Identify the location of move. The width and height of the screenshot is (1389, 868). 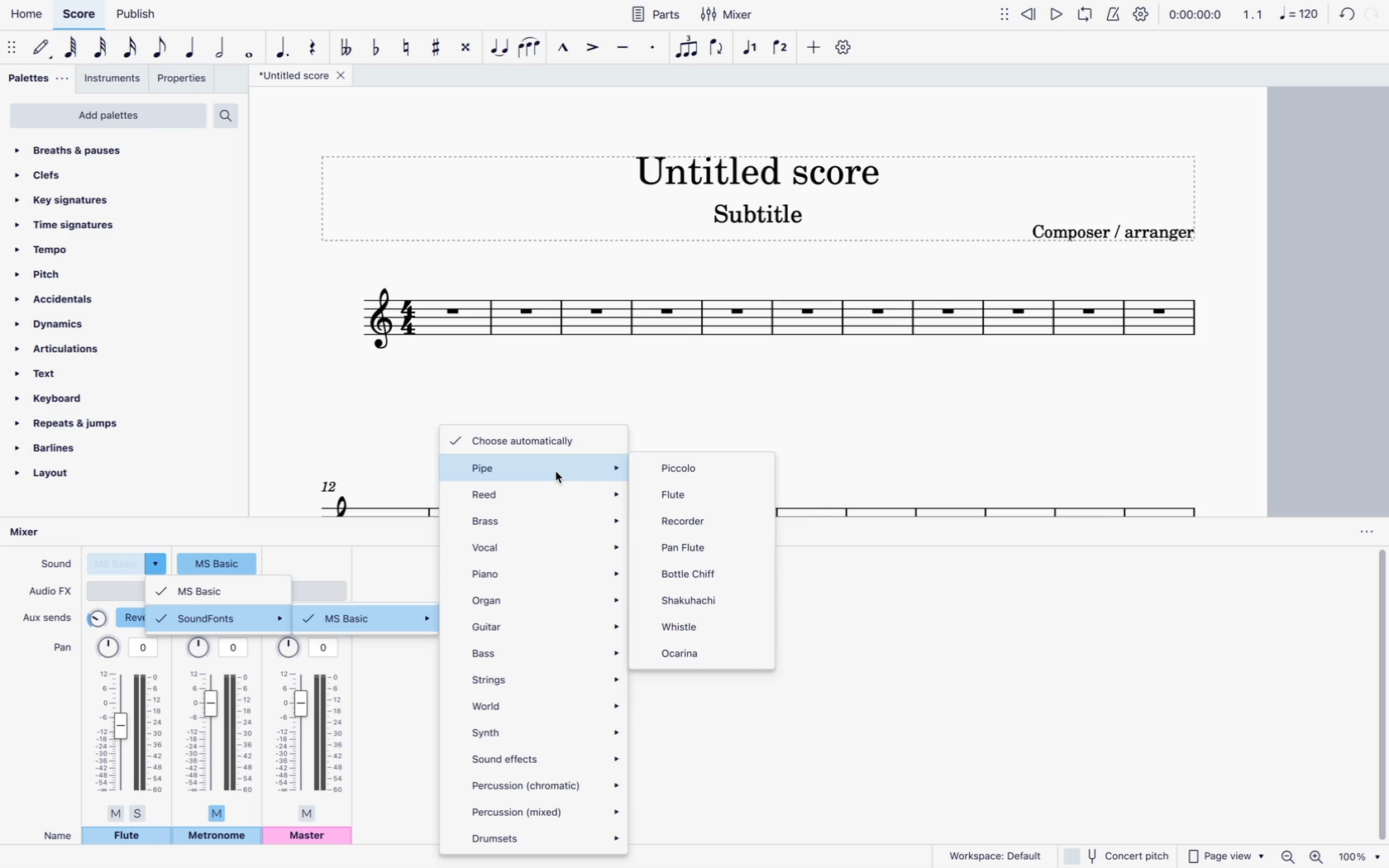
(13, 46).